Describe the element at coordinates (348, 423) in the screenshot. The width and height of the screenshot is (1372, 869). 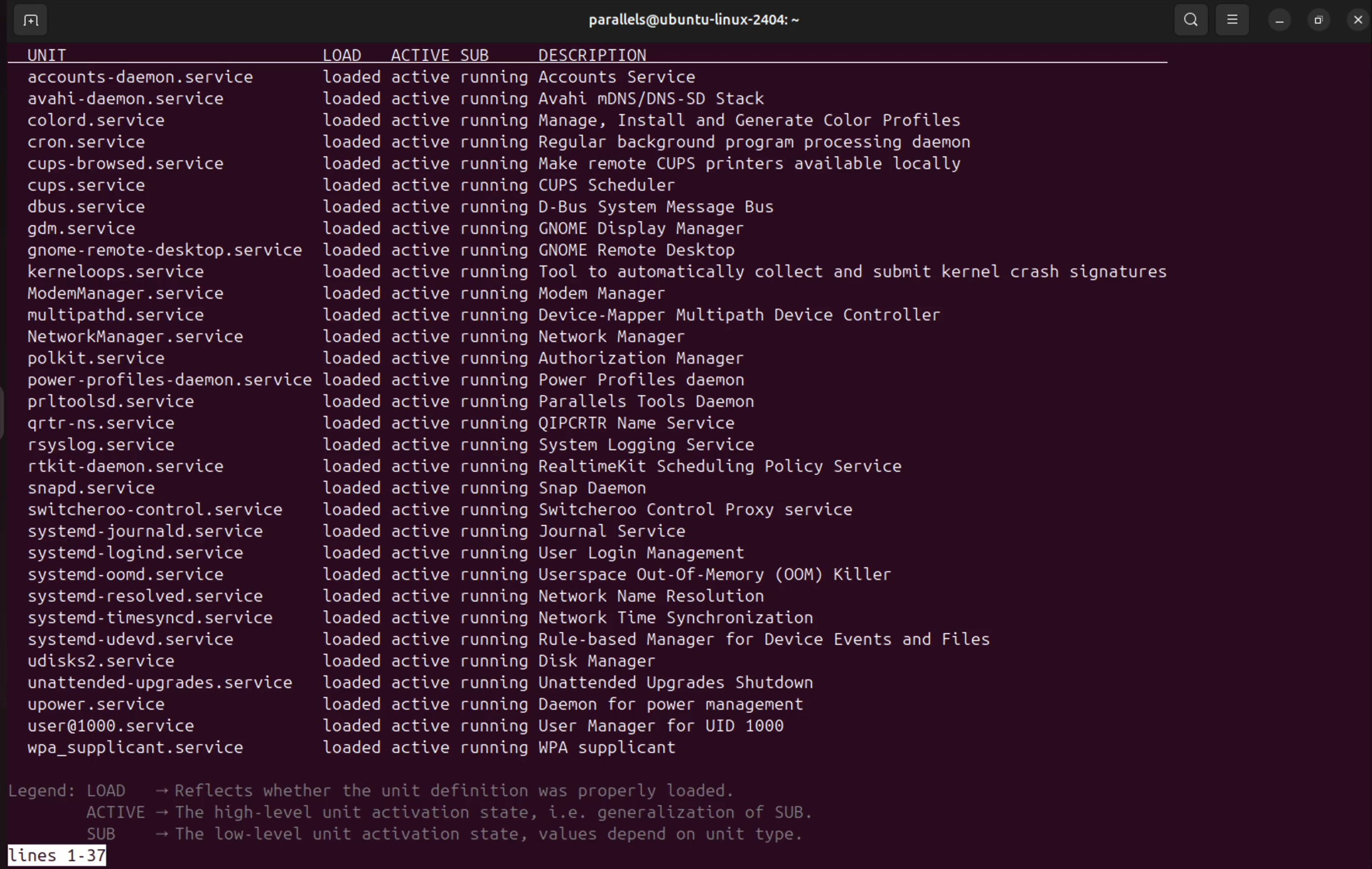
I see `loaded` at that location.